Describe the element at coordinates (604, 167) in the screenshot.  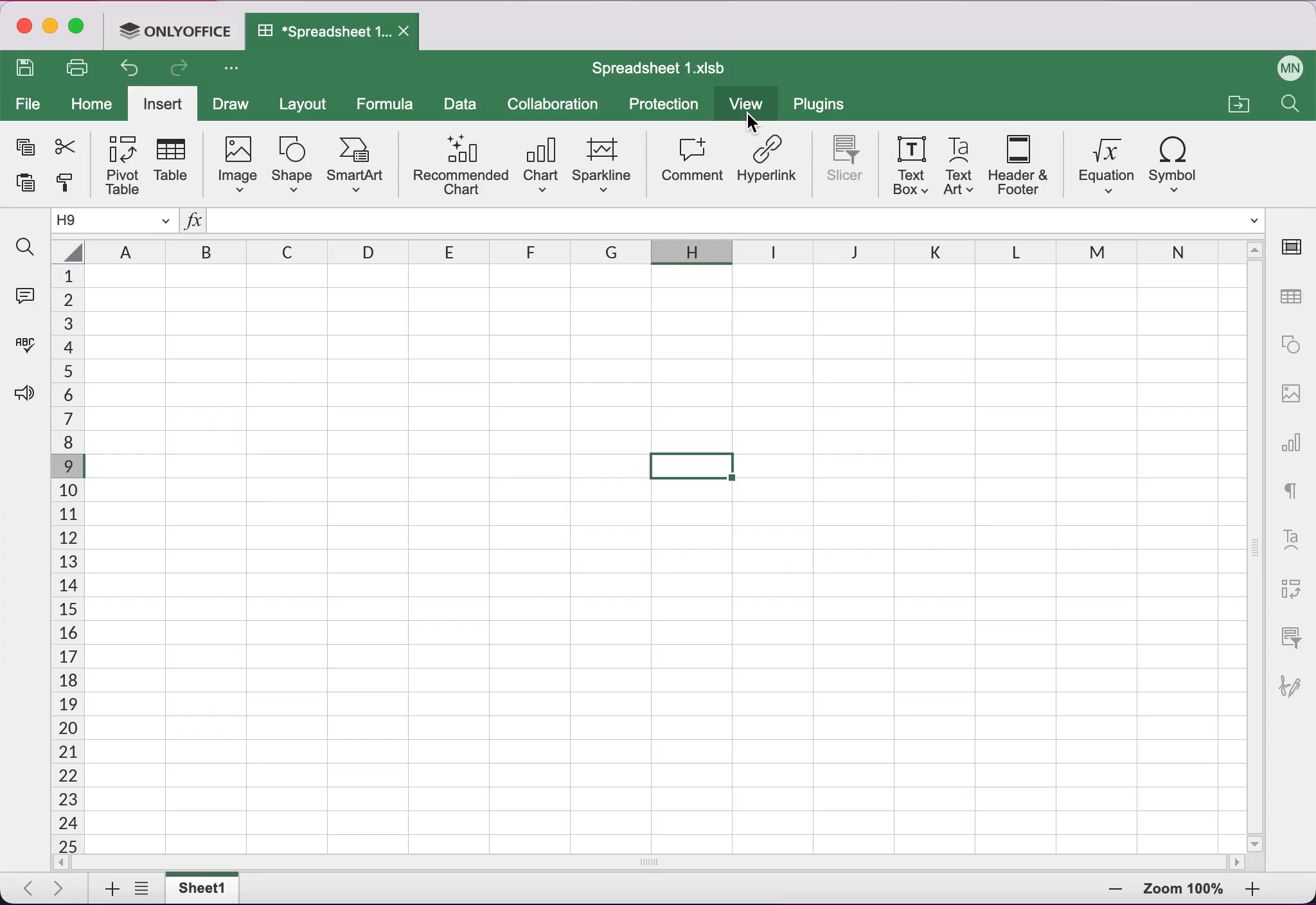
I see `sparkline` at that location.